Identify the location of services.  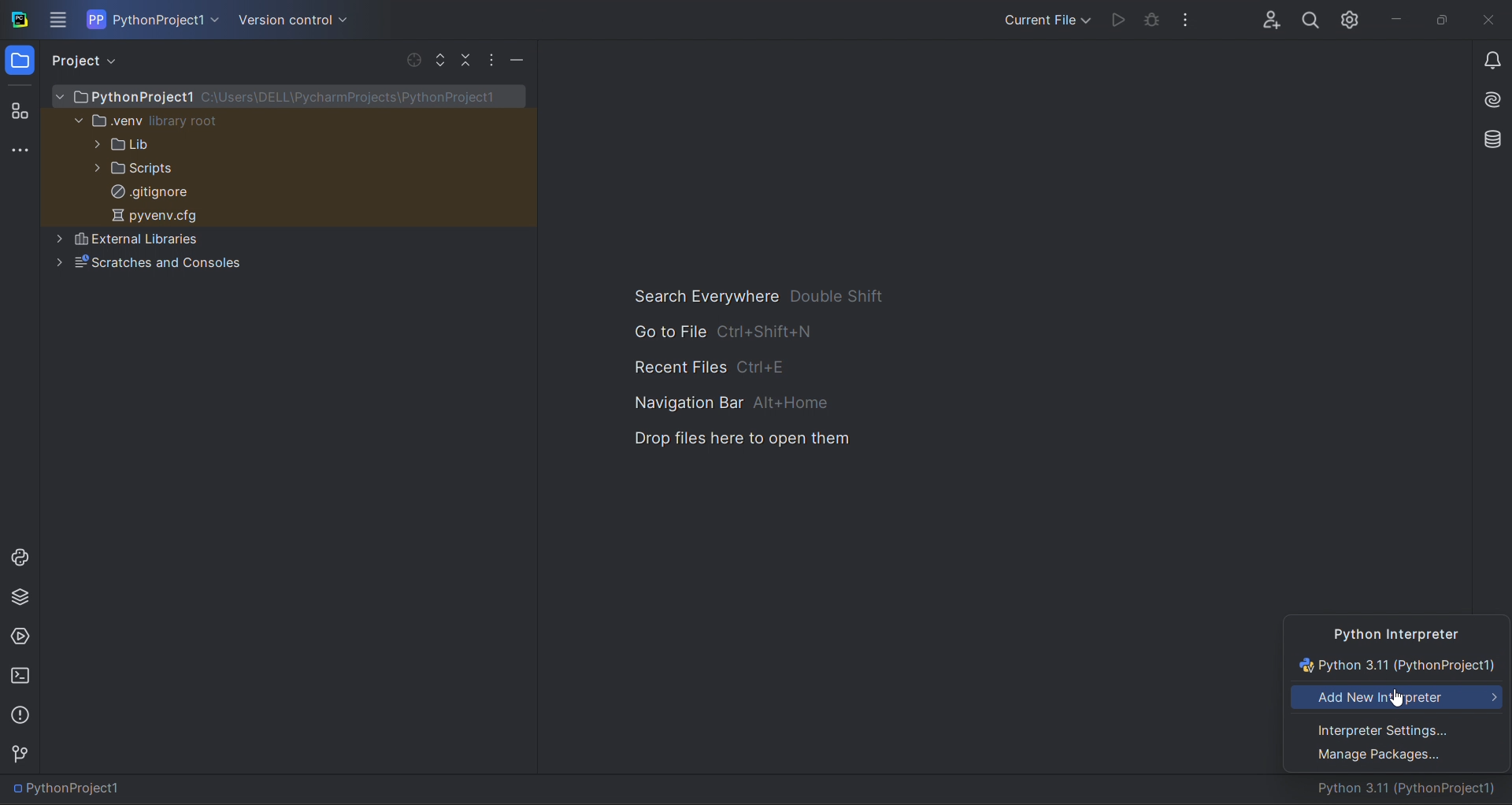
(20, 638).